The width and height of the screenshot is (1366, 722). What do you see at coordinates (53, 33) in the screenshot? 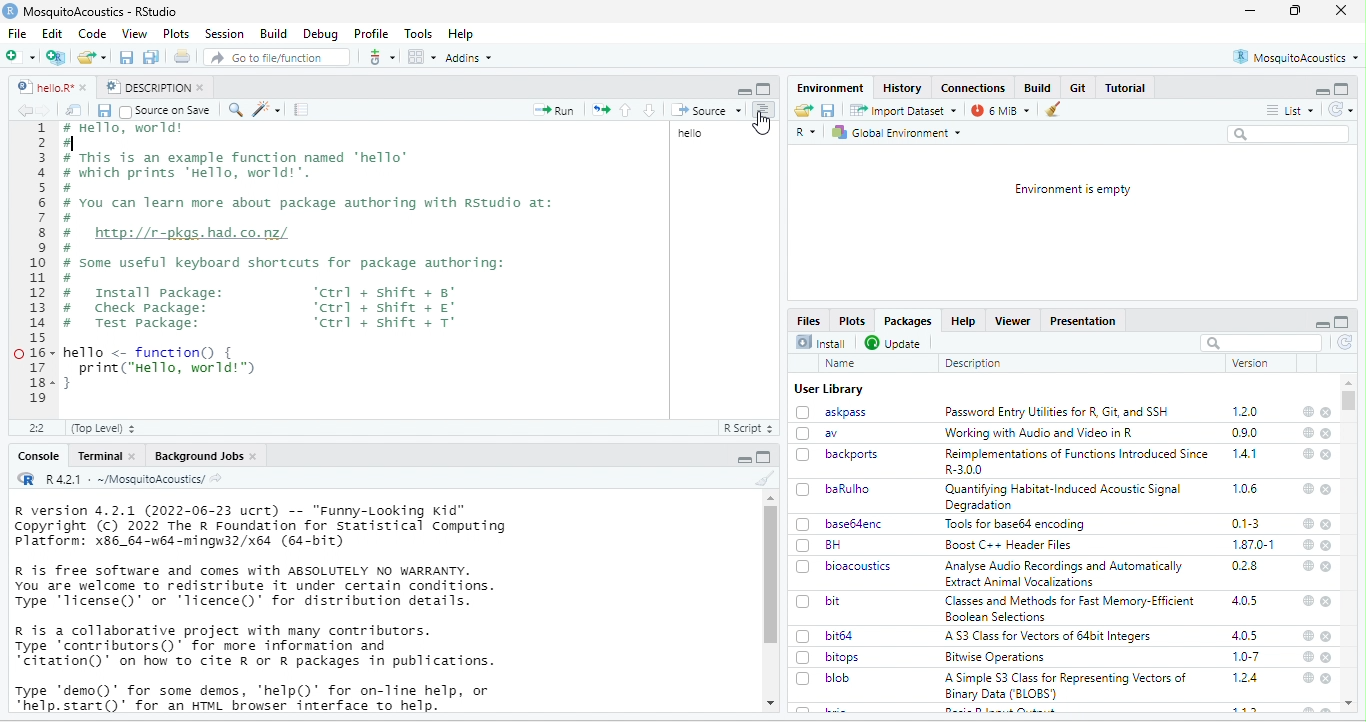
I see `Edit` at bounding box center [53, 33].